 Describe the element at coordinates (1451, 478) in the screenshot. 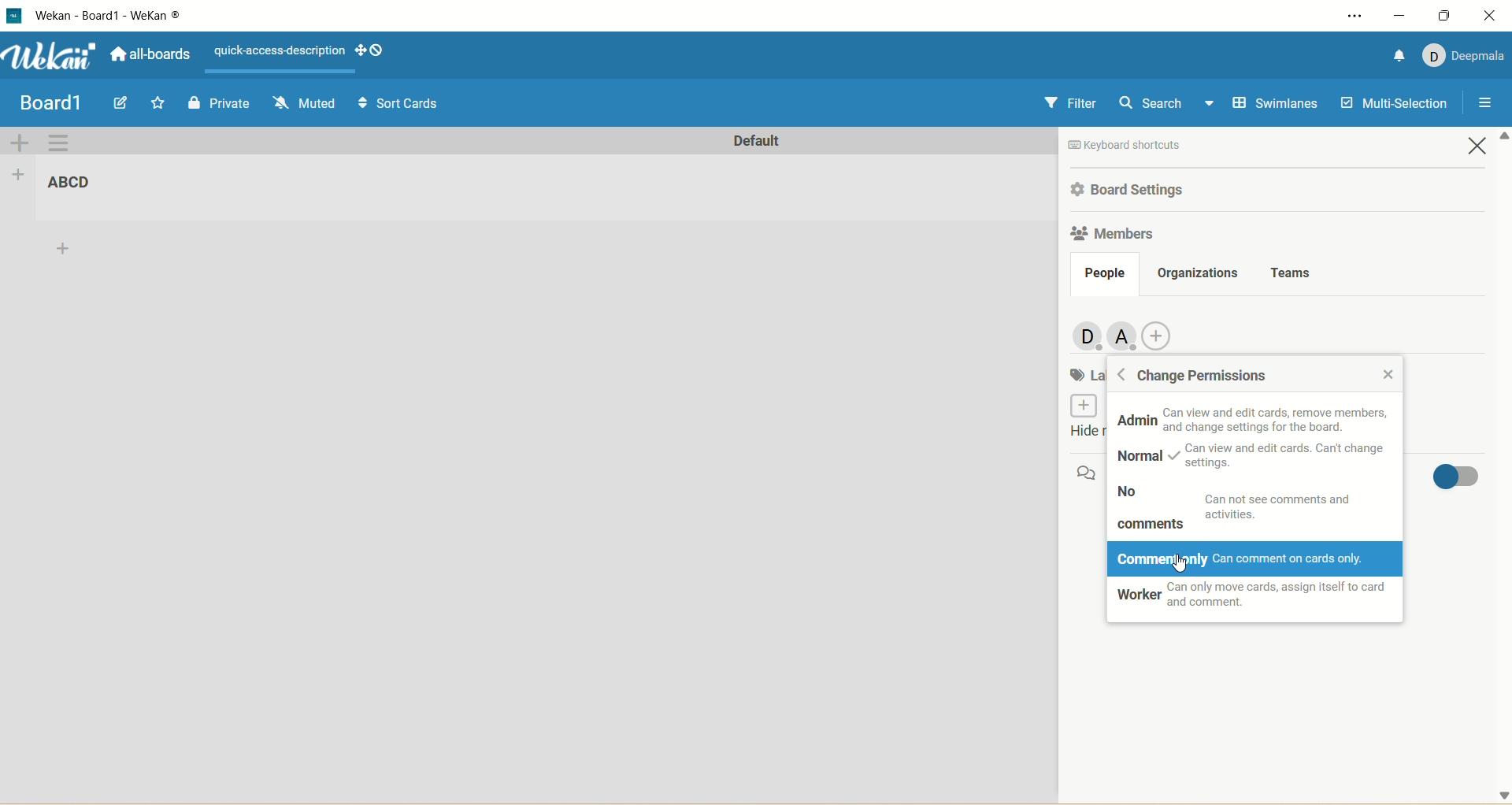

I see `toggle` at that location.